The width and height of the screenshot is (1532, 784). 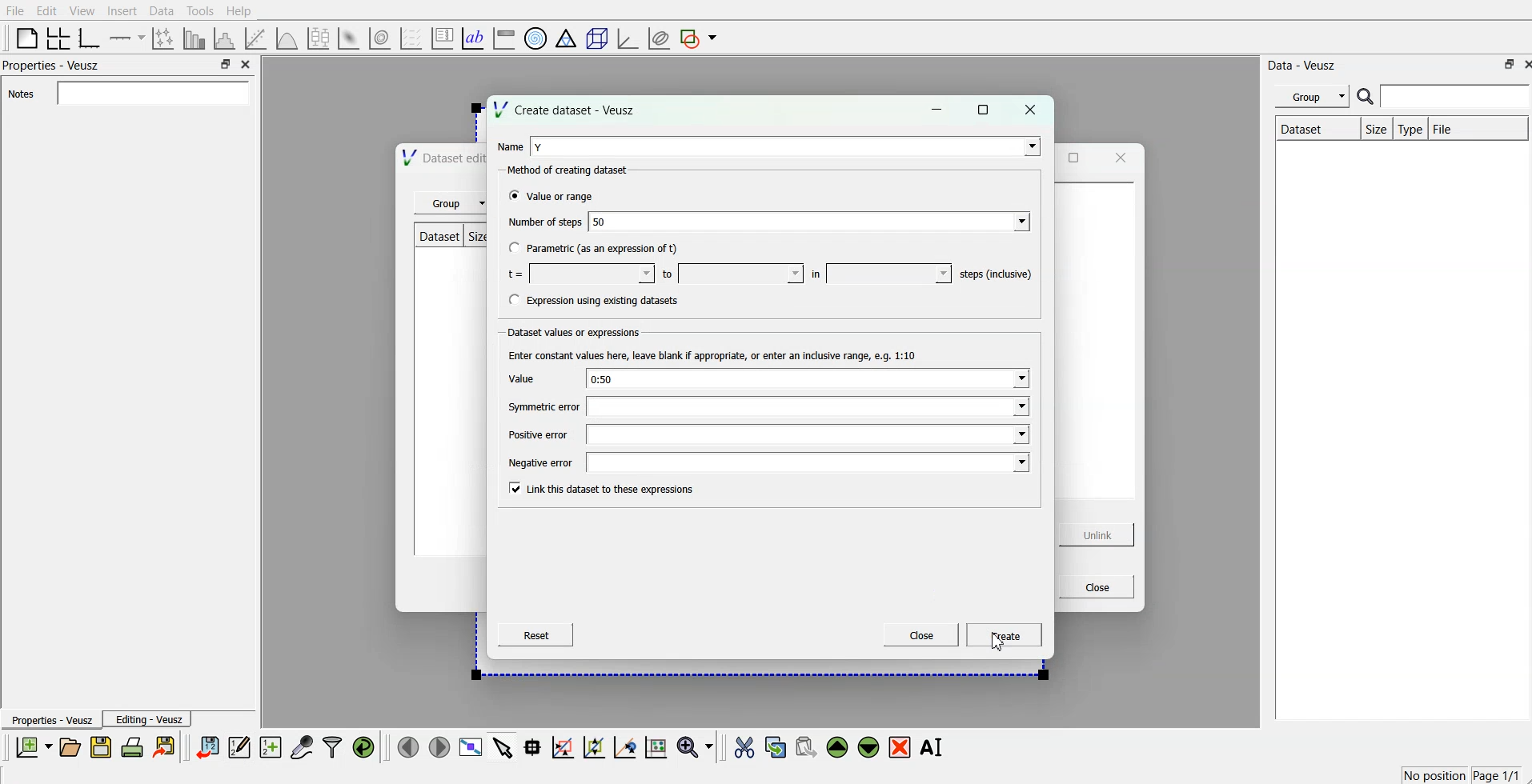 What do you see at coordinates (122, 10) in the screenshot?
I see `Insert` at bounding box center [122, 10].